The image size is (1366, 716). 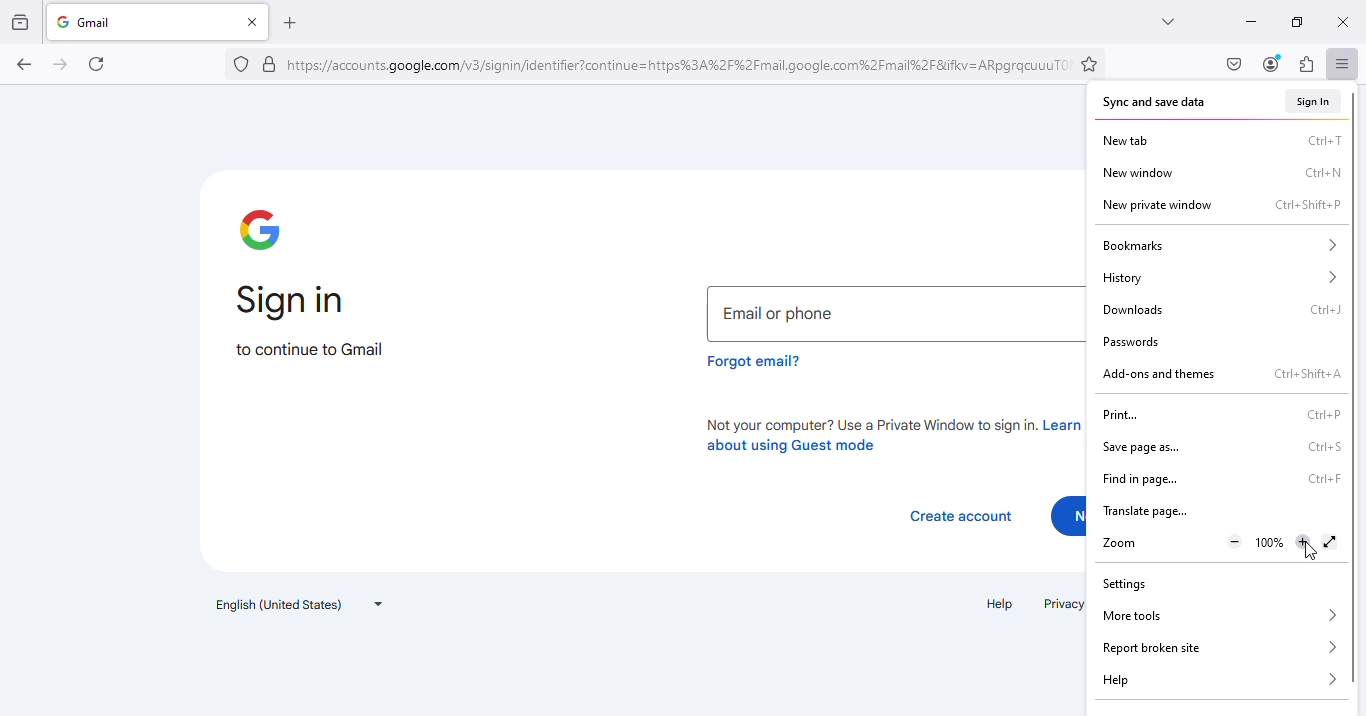 I want to click on link, so click(x=680, y=65).